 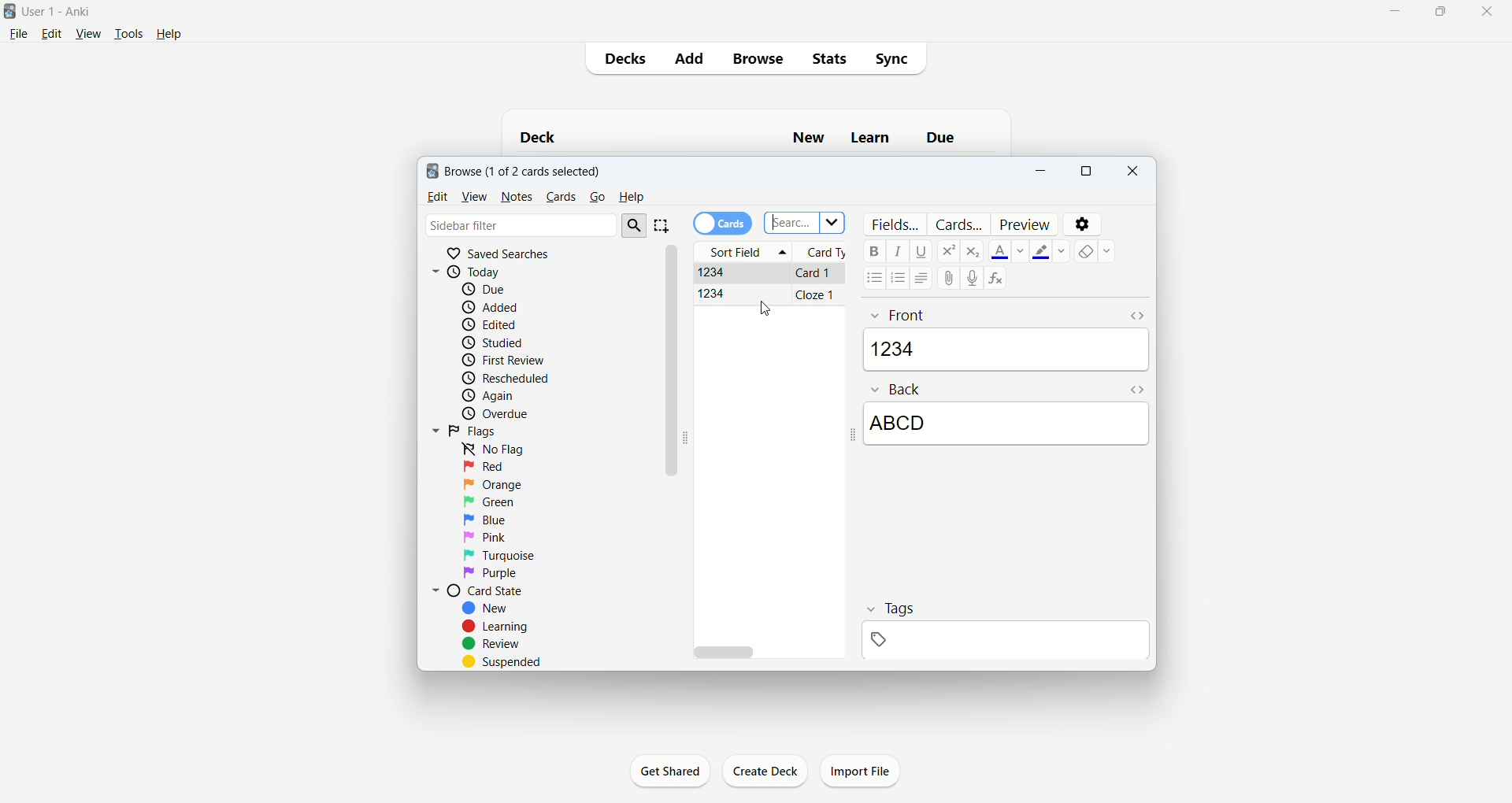 What do you see at coordinates (665, 223) in the screenshot?
I see `select` at bounding box center [665, 223].